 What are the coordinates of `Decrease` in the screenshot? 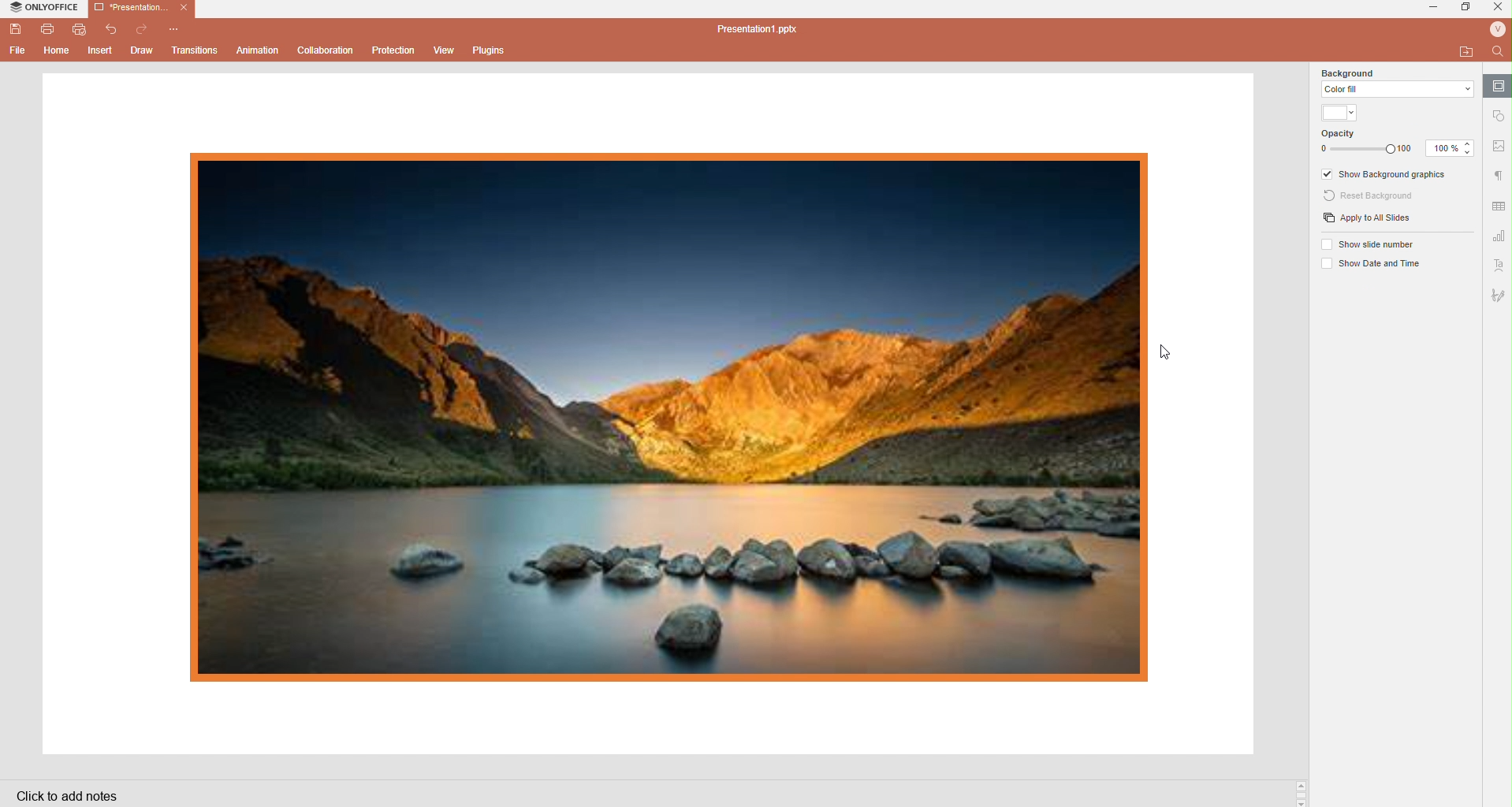 It's located at (1471, 152).